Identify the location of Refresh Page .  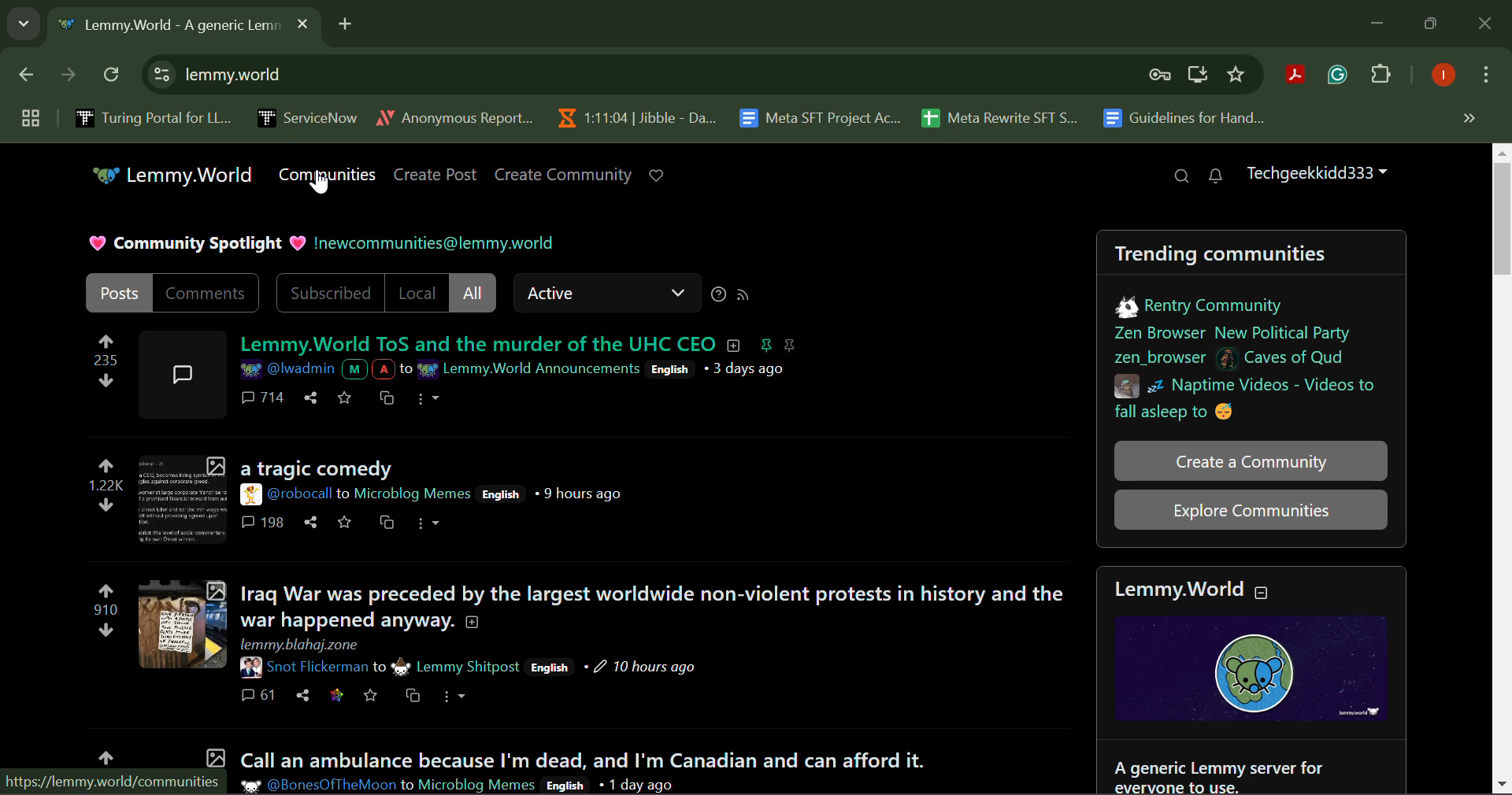
(113, 76).